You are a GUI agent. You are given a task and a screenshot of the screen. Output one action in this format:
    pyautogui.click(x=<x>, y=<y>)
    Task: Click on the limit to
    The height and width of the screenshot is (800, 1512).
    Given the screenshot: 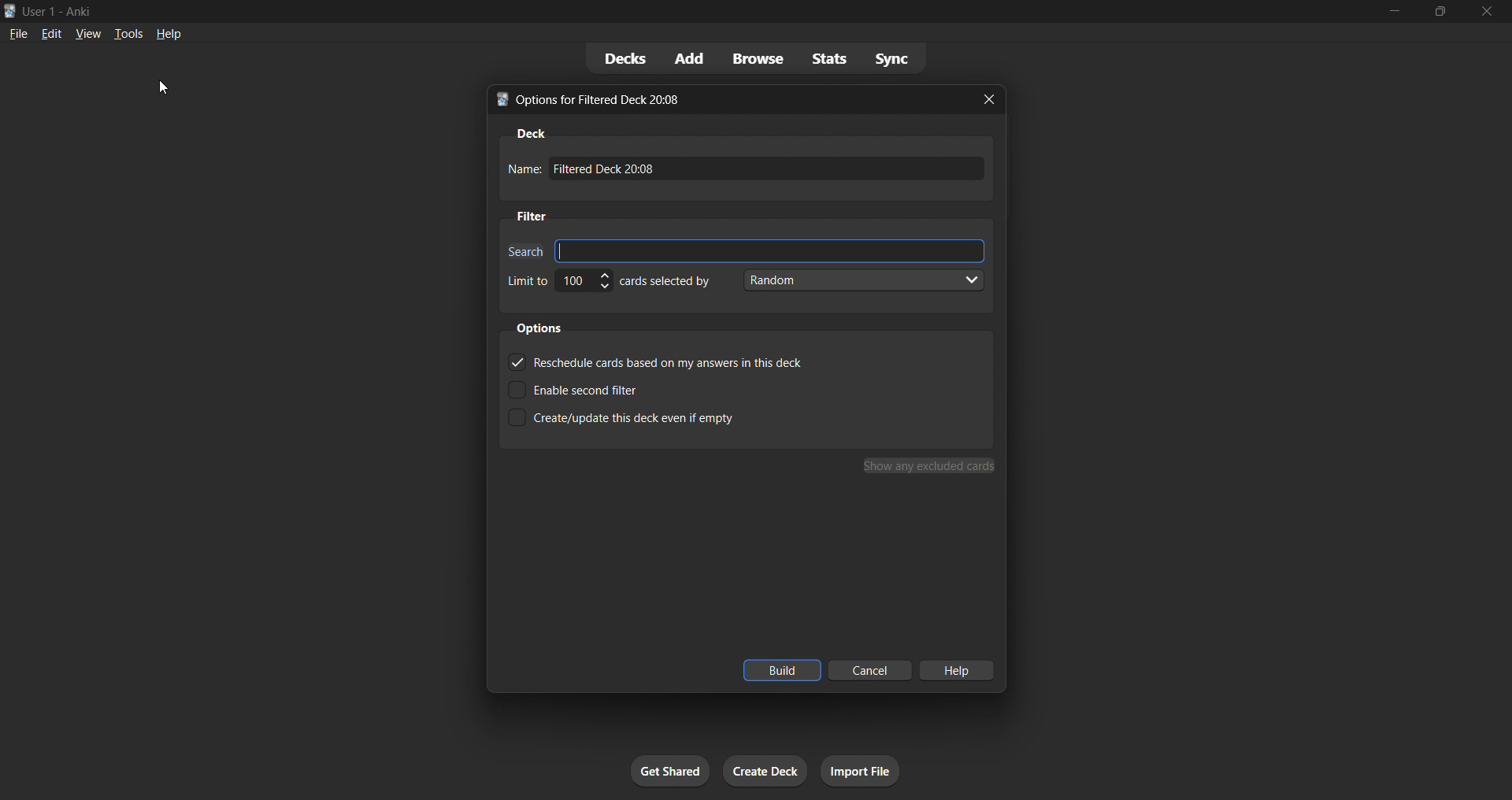 What is the action you would take?
    pyautogui.click(x=527, y=280)
    